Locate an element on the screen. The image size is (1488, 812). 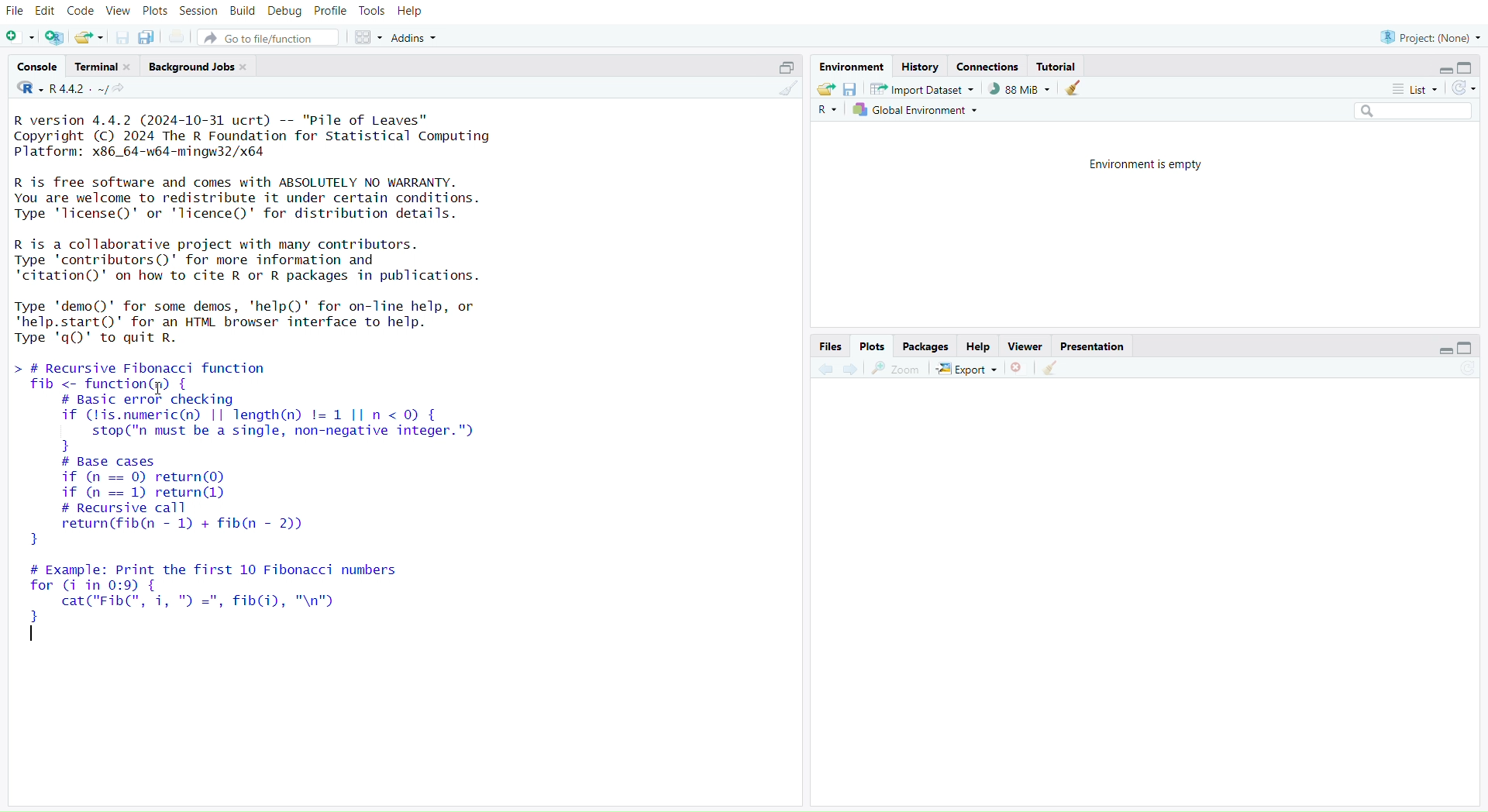
view the current working directory is located at coordinates (120, 89).